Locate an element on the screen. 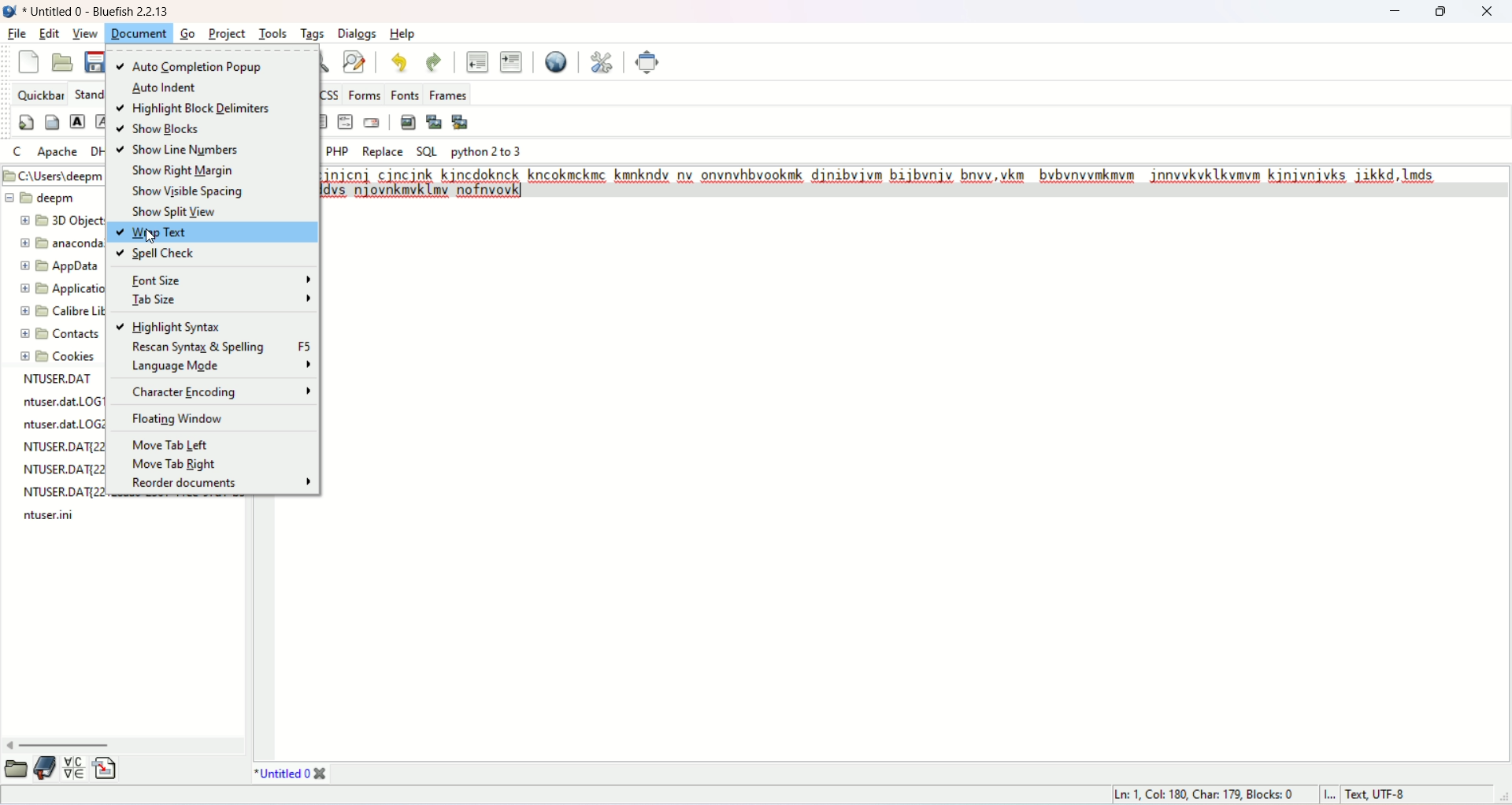  Tools is located at coordinates (270, 31).